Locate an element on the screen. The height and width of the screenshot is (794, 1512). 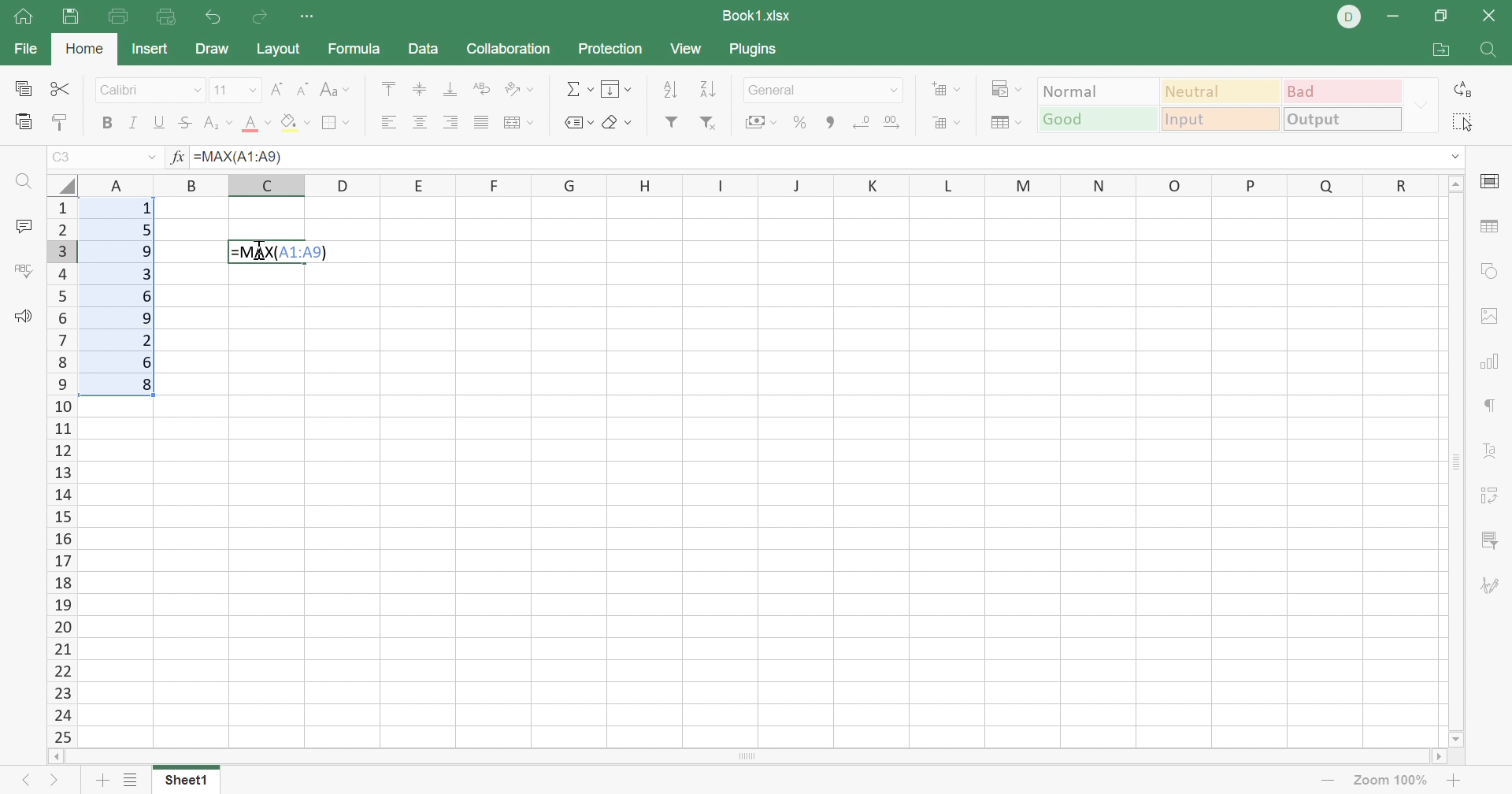
image settings is located at coordinates (1488, 317).